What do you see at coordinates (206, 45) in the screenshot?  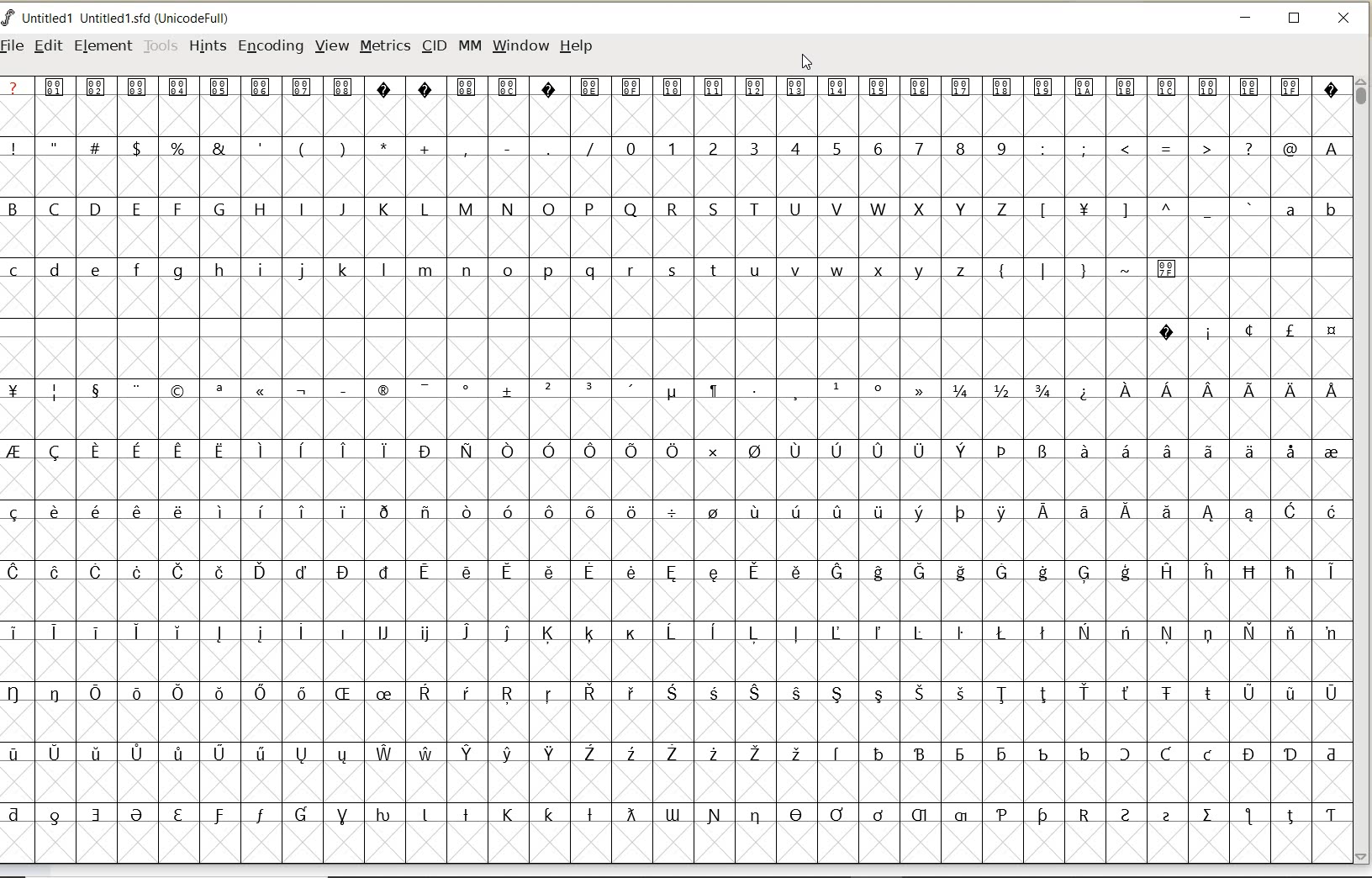 I see `HINTS` at bounding box center [206, 45].